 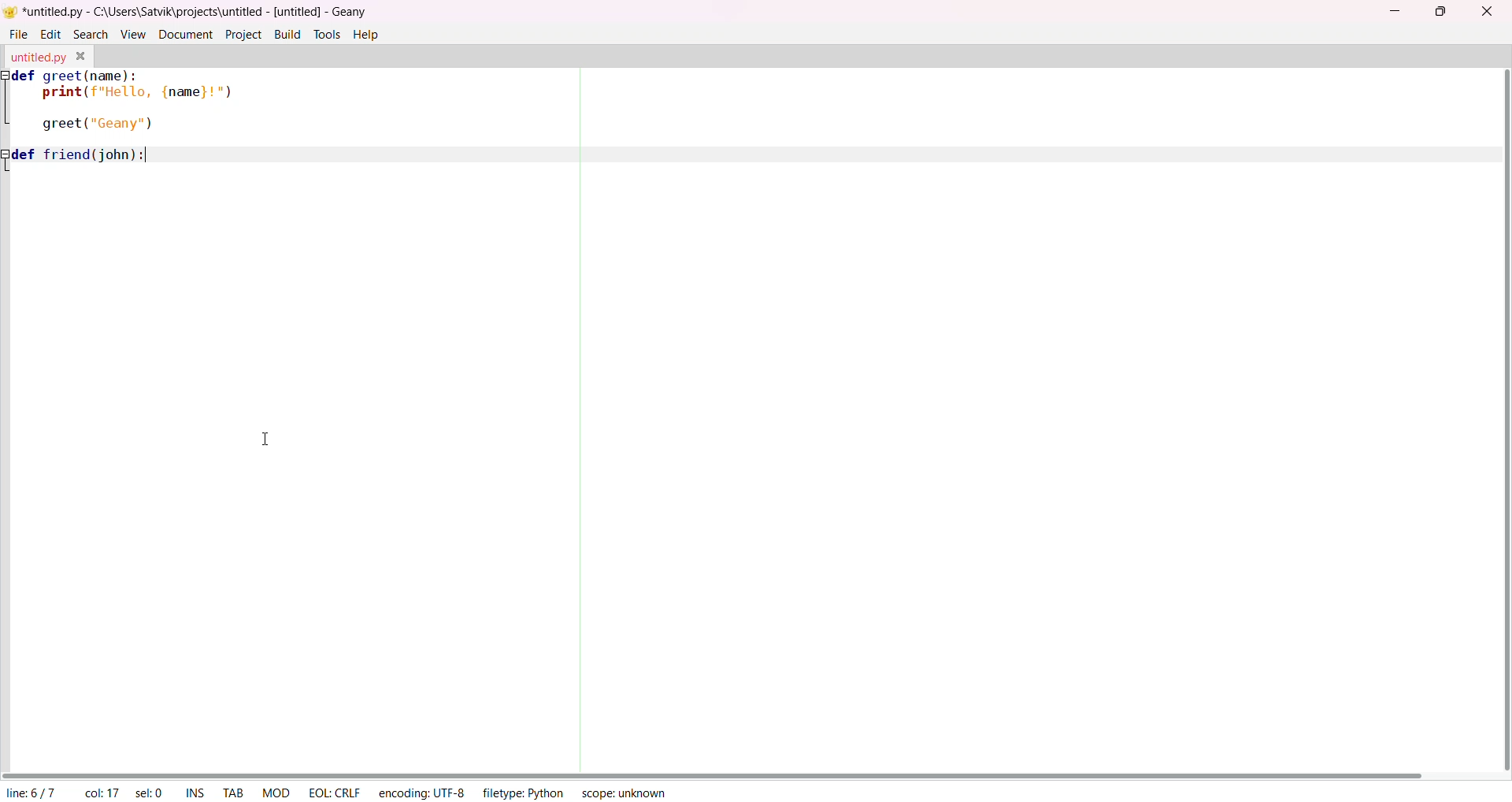 I want to click on cursor, so click(x=264, y=435).